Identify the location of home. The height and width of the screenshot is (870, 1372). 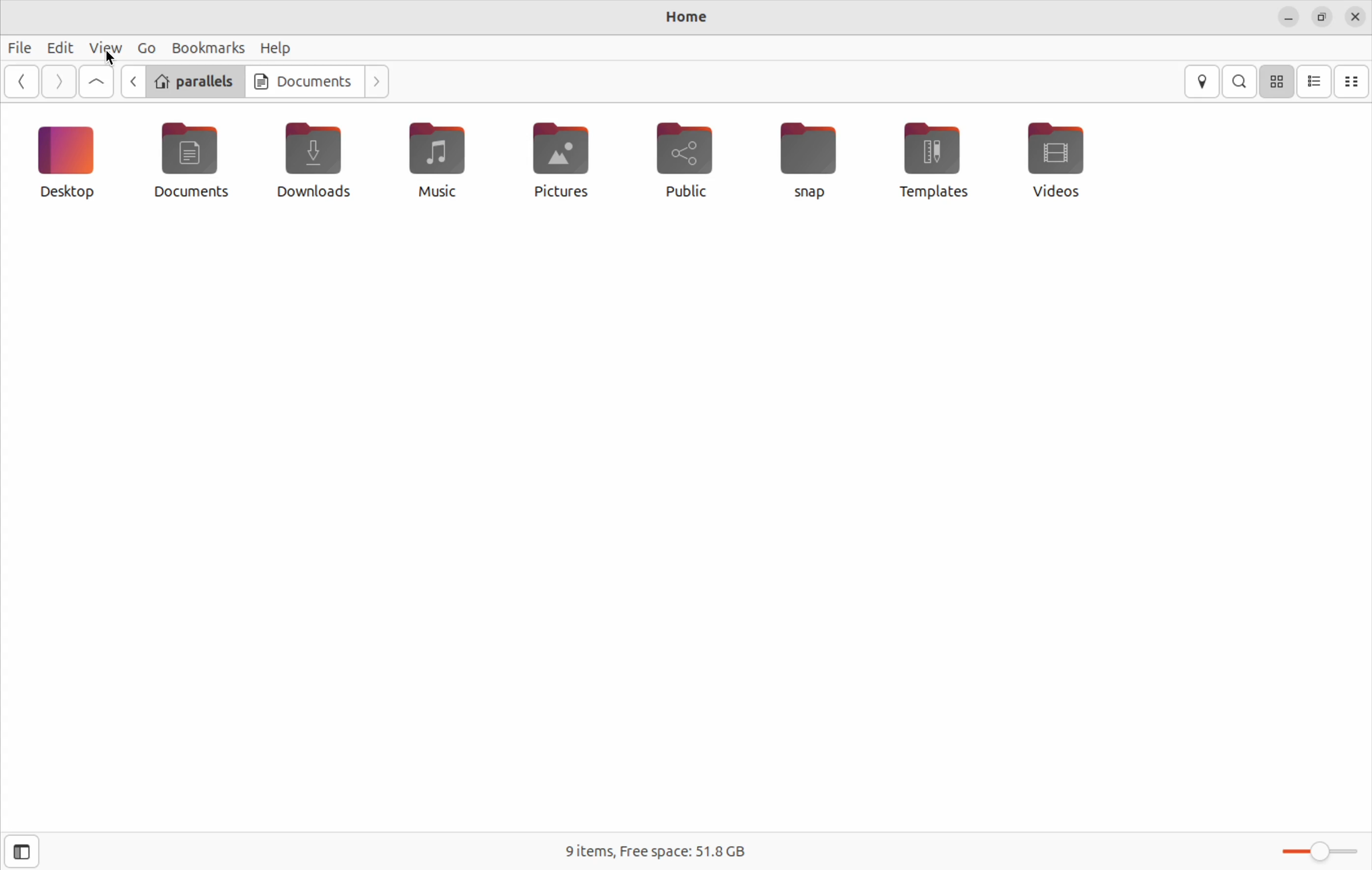
(690, 18).